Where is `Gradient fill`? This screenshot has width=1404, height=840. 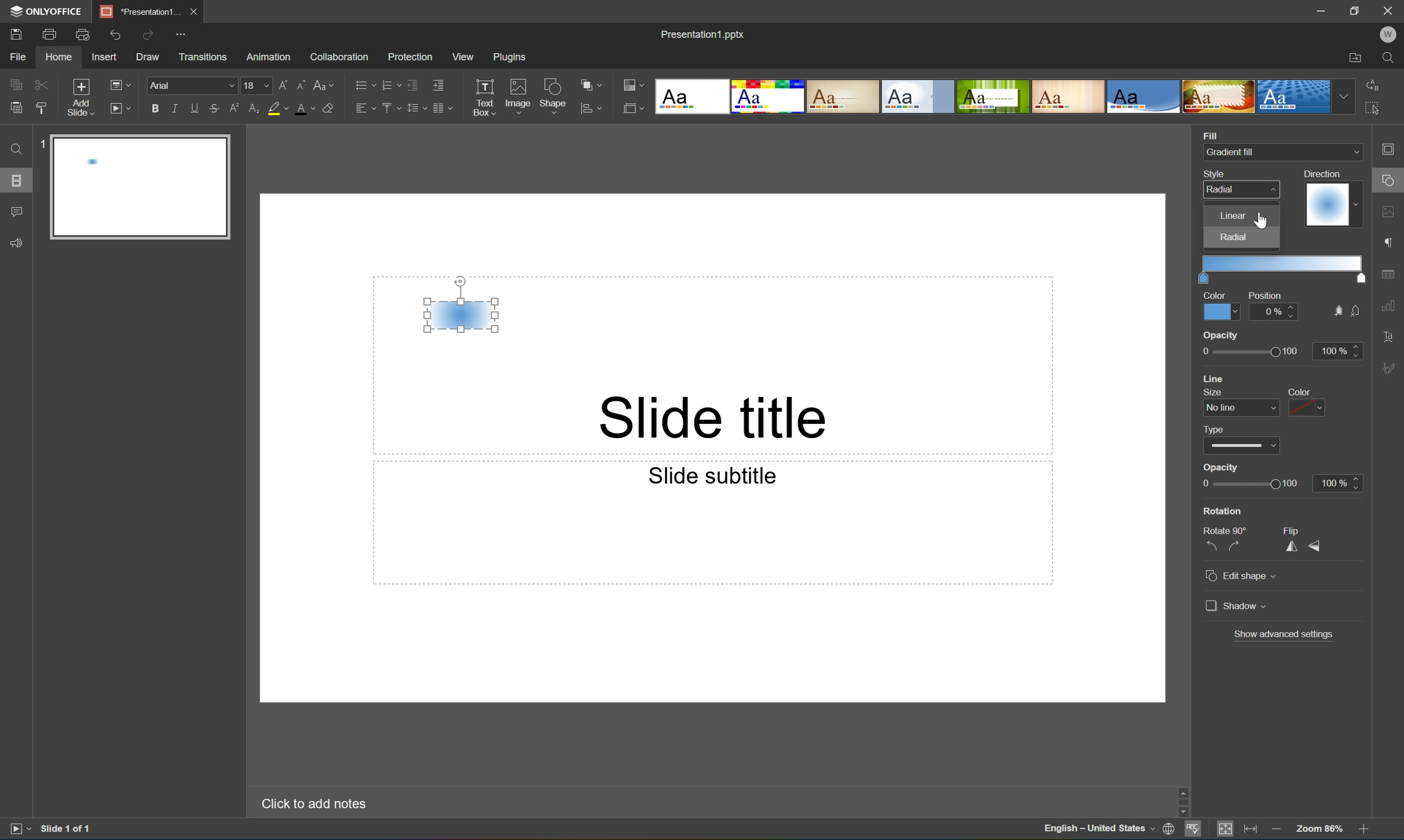 Gradient fill is located at coordinates (1233, 152).